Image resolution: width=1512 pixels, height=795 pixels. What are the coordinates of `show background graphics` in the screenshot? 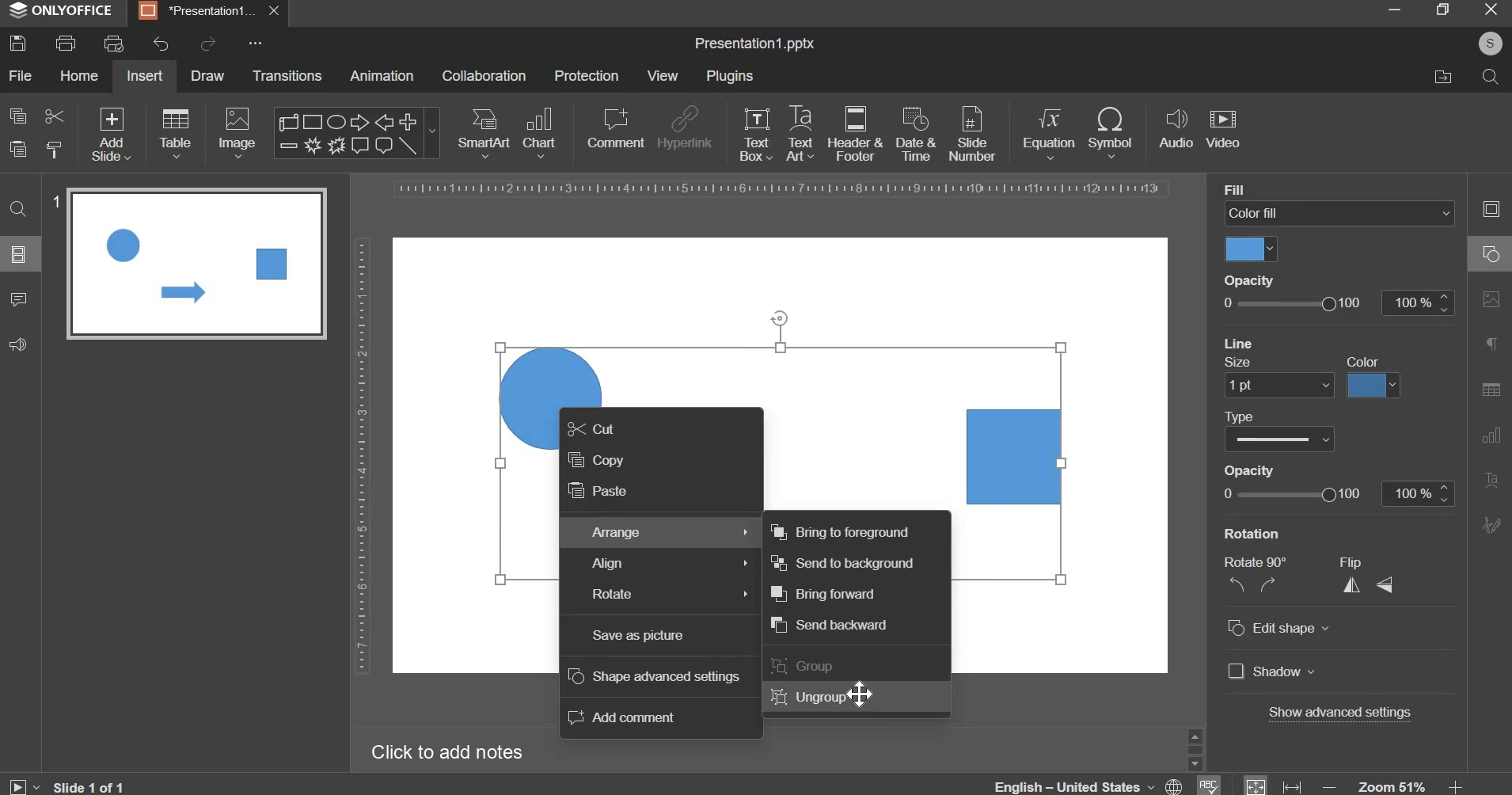 It's located at (1320, 341).